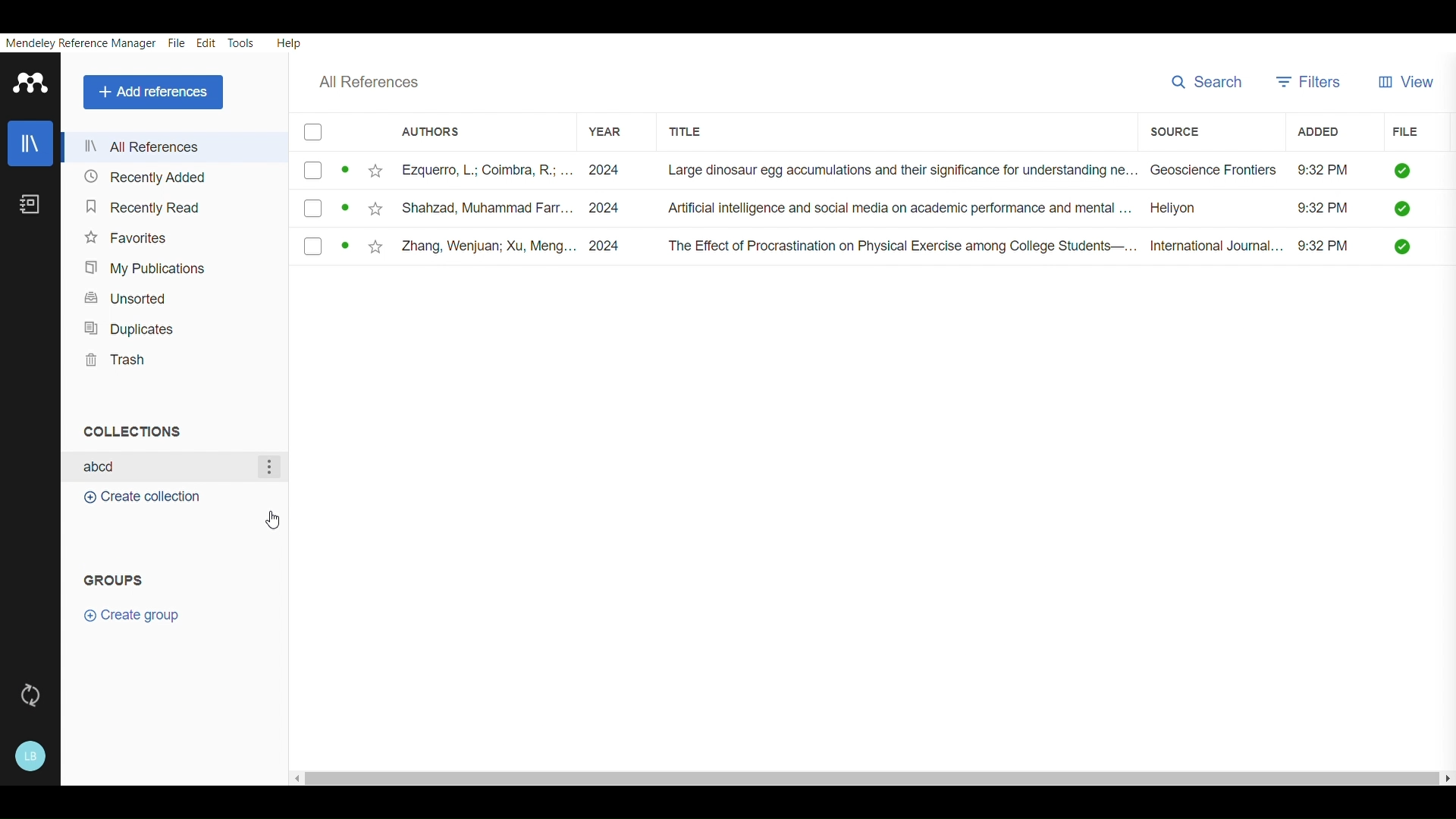 The image size is (1456, 819). What do you see at coordinates (139, 265) in the screenshot?
I see `My Publications` at bounding box center [139, 265].